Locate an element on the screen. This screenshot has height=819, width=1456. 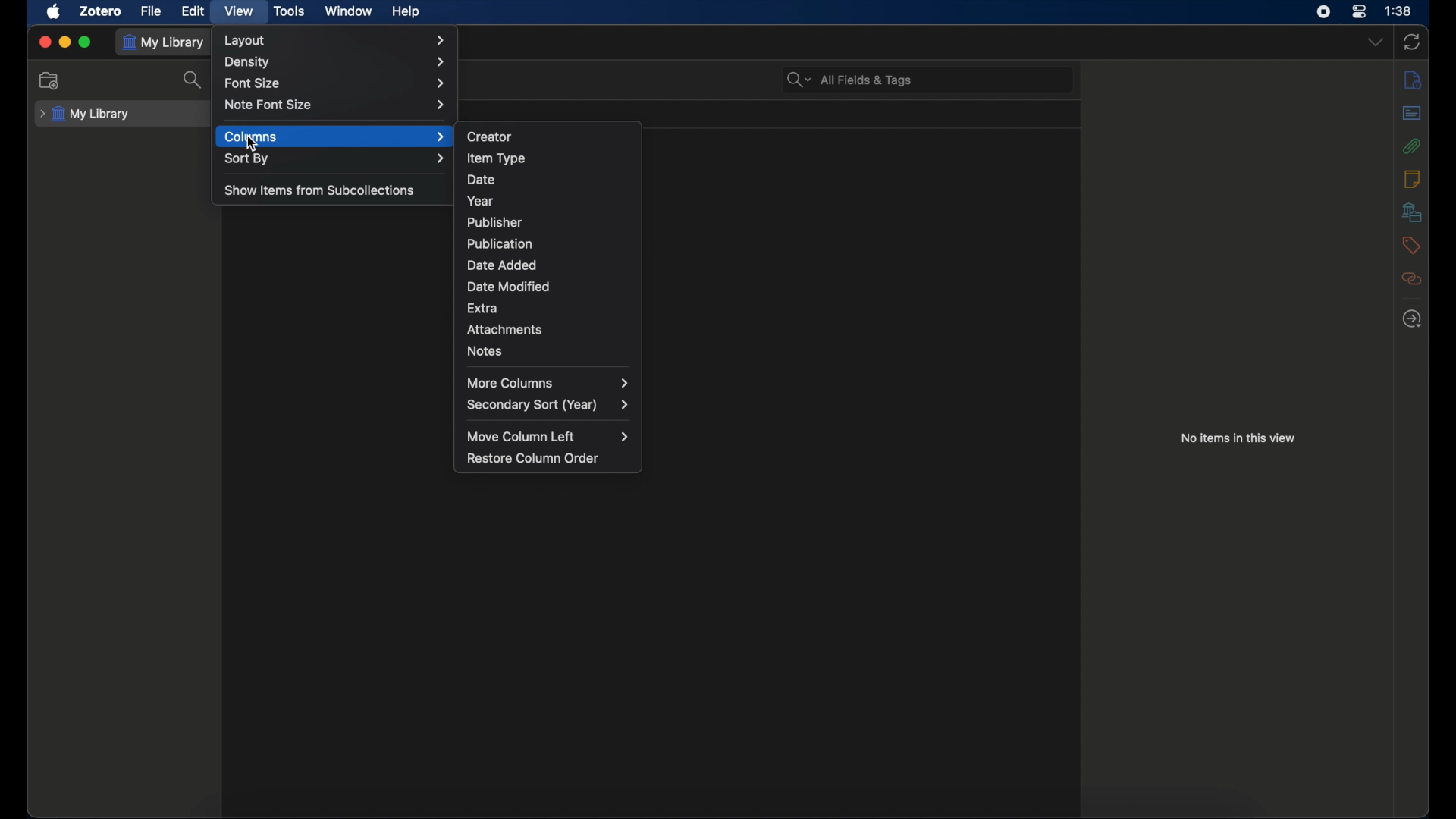
note font size is located at coordinates (335, 105).